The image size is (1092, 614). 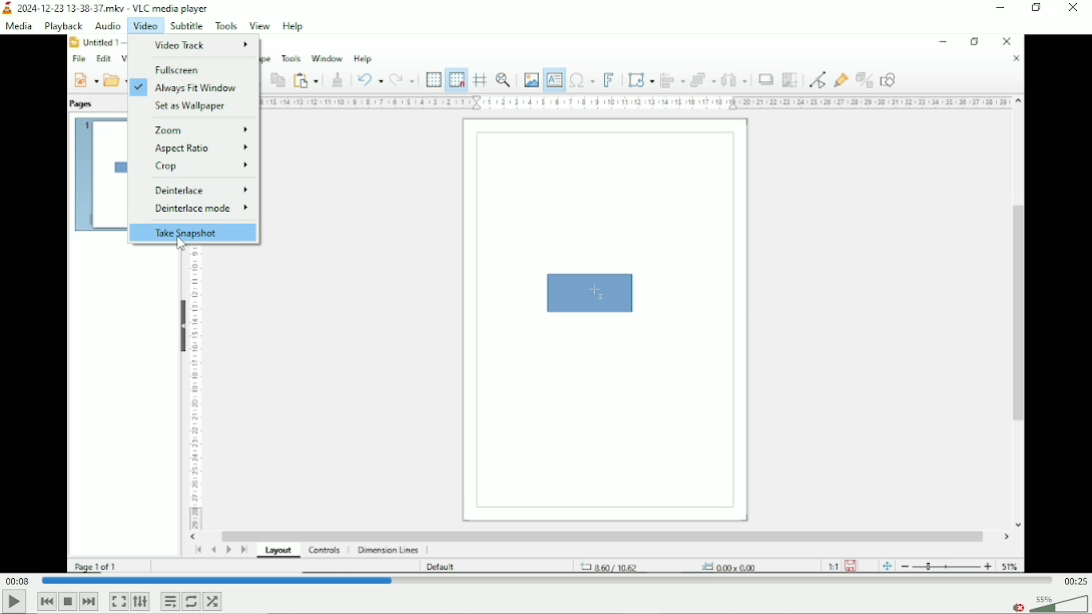 What do you see at coordinates (89, 602) in the screenshot?
I see `Next` at bounding box center [89, 602].